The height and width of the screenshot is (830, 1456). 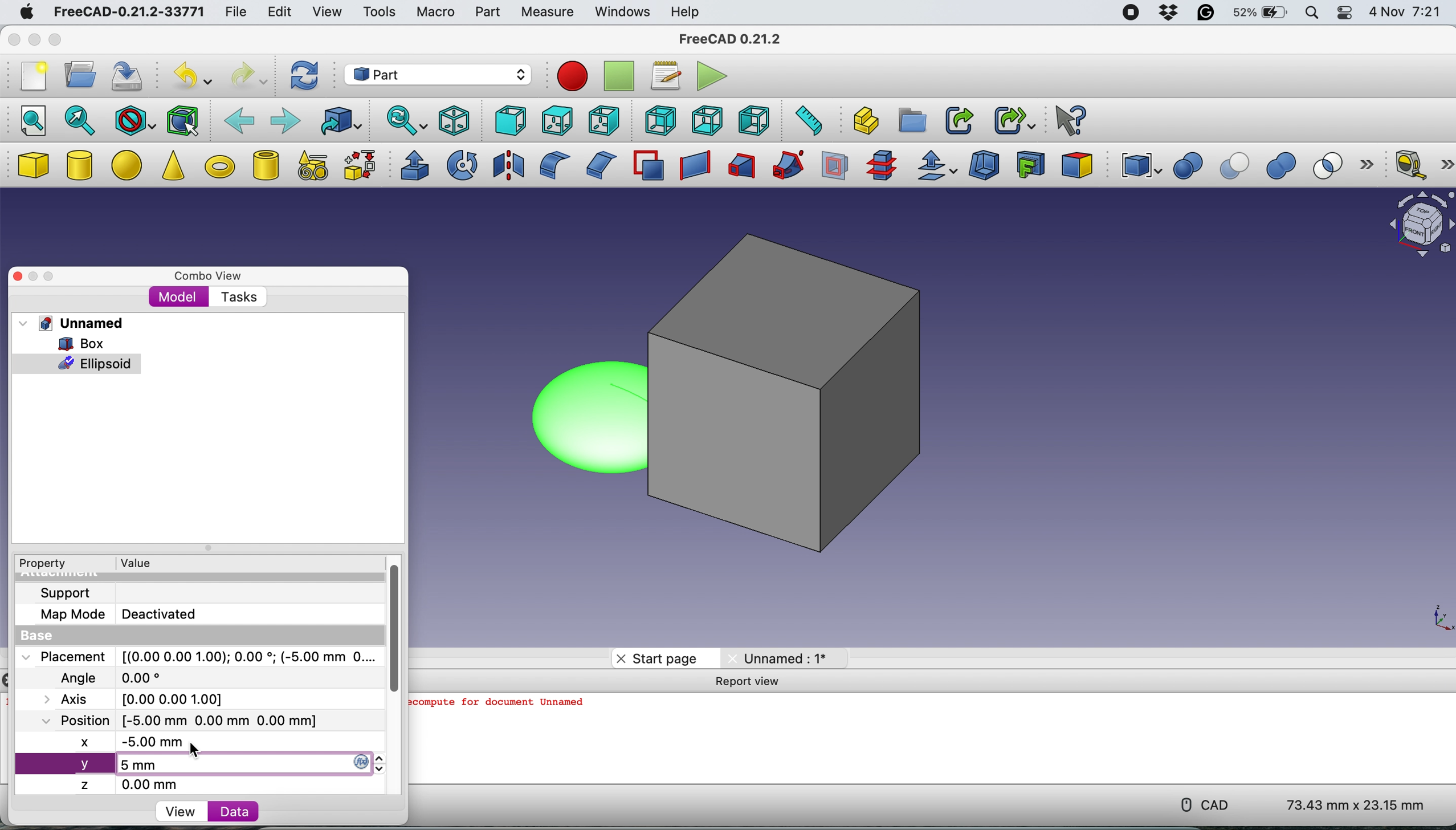 I want to click on rear, so click(x=658, y=120).